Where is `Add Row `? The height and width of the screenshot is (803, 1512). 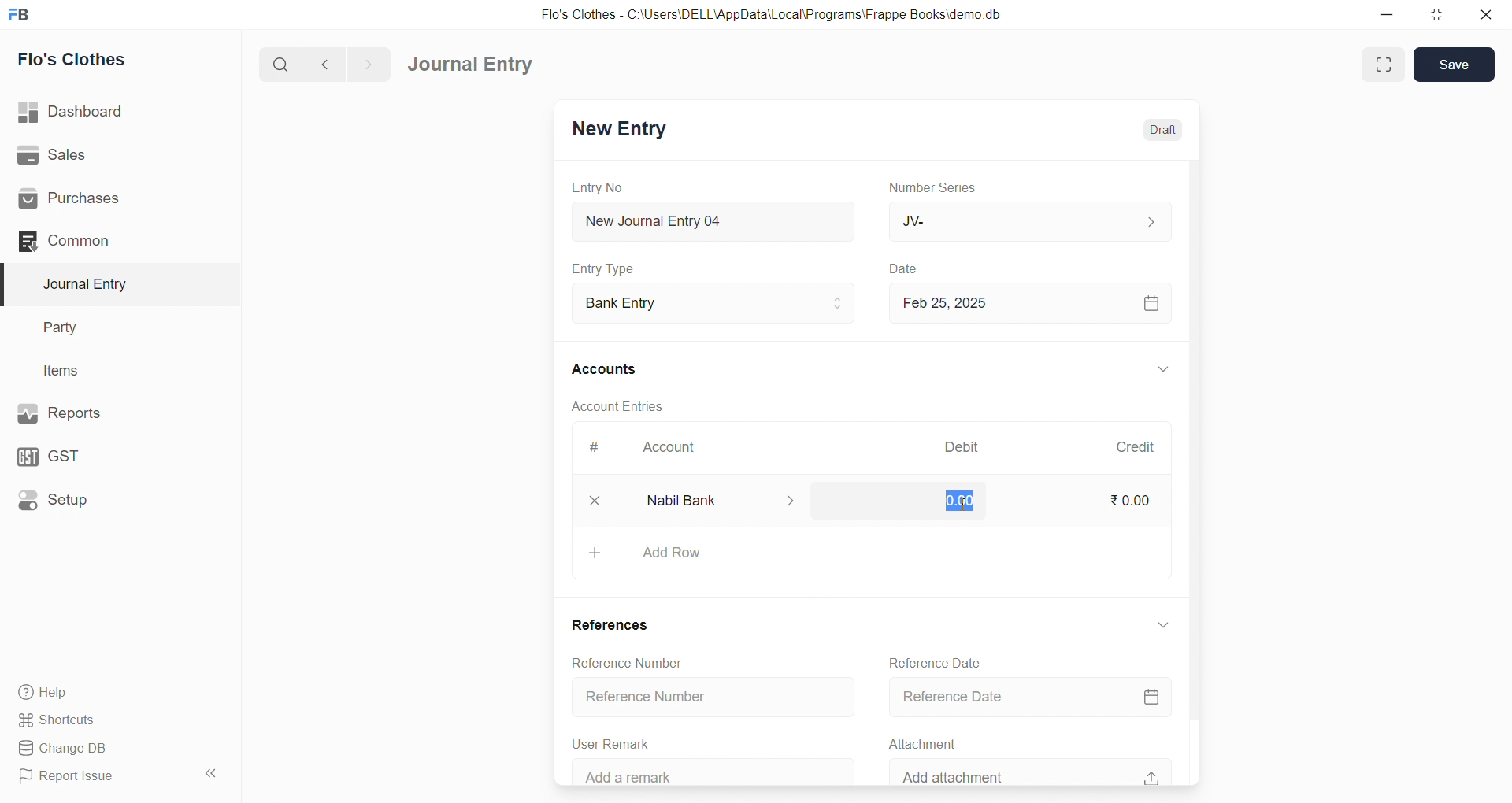 Add Row  is located at coordinates (865, 553).